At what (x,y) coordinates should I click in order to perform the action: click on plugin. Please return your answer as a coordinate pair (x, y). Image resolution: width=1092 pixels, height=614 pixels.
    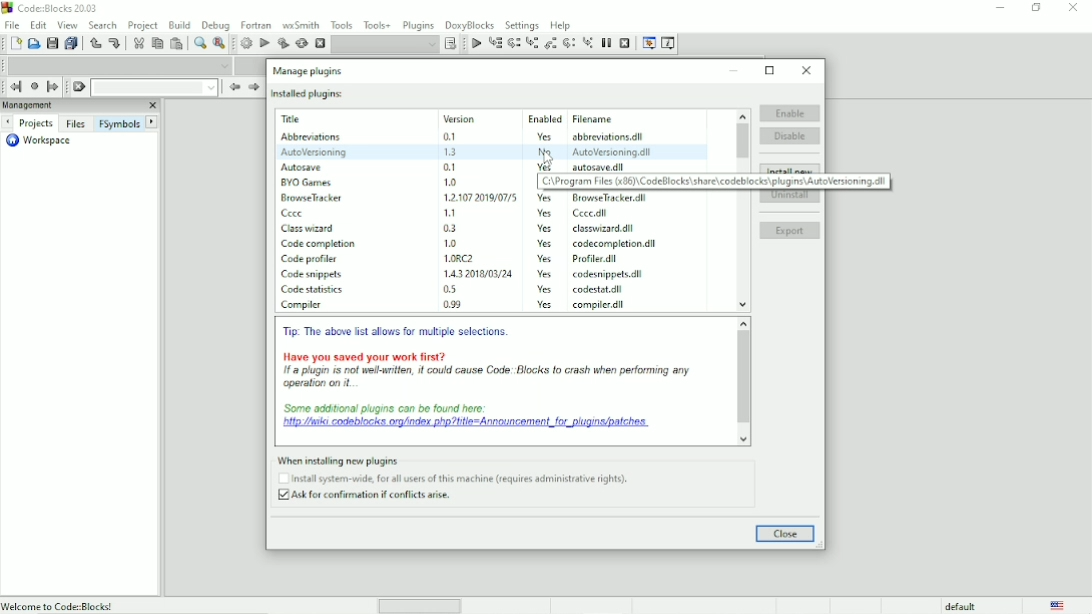
    Looking at the image, I should click on (311, 257).